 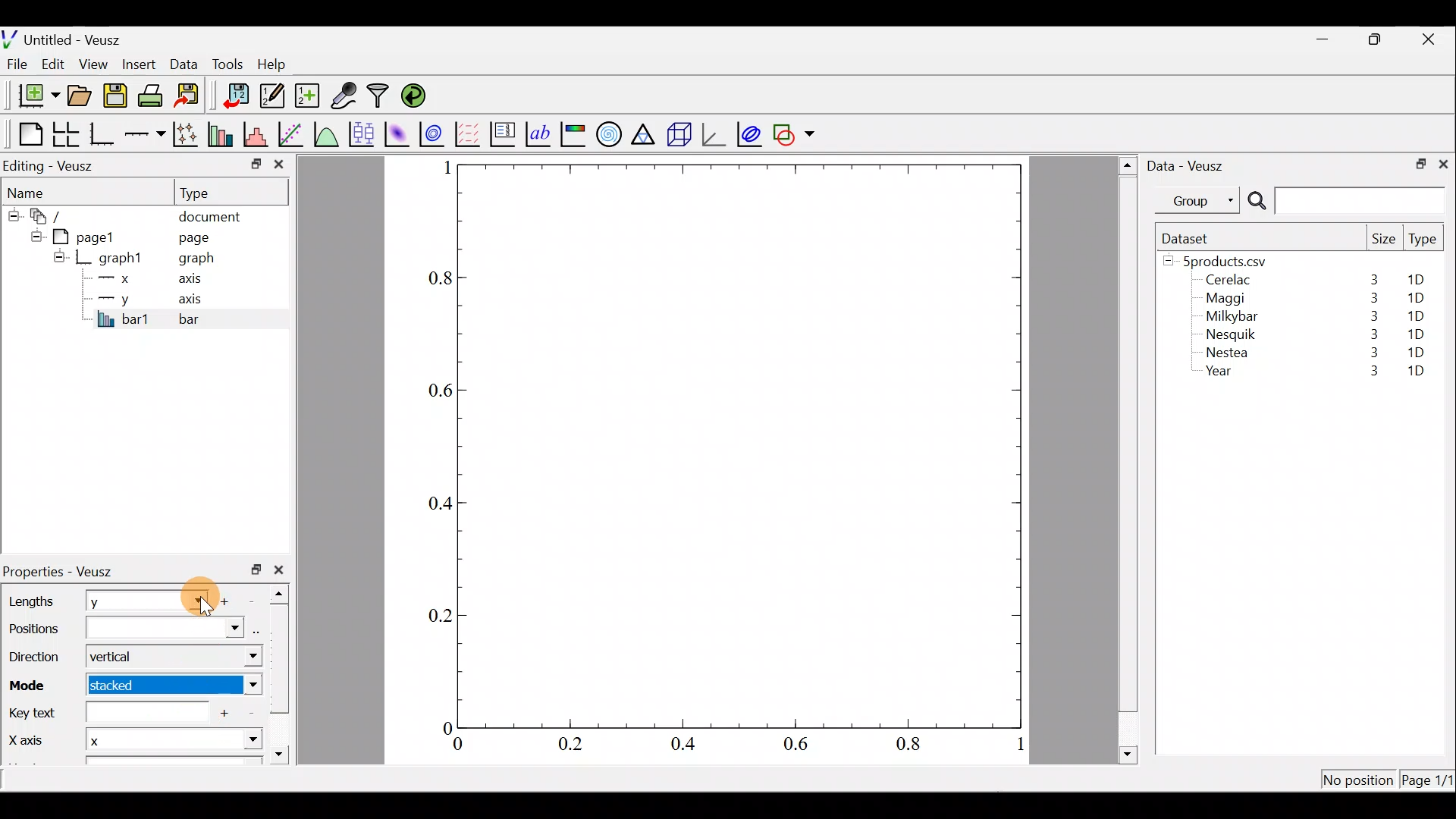 What do you see at coordinates (741, 444) in the screenshot?
I see `graph plot area` at bounding box center [741, 444].